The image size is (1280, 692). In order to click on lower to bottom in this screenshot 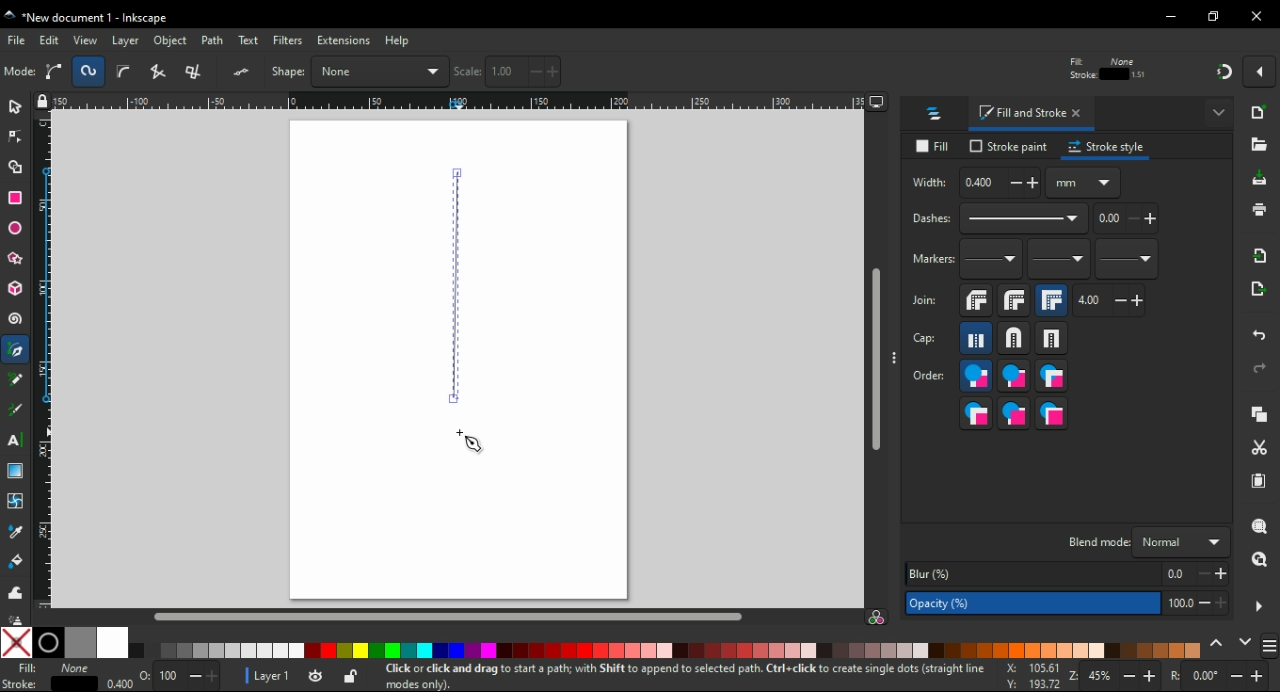, I will do `click(430, 72)`.